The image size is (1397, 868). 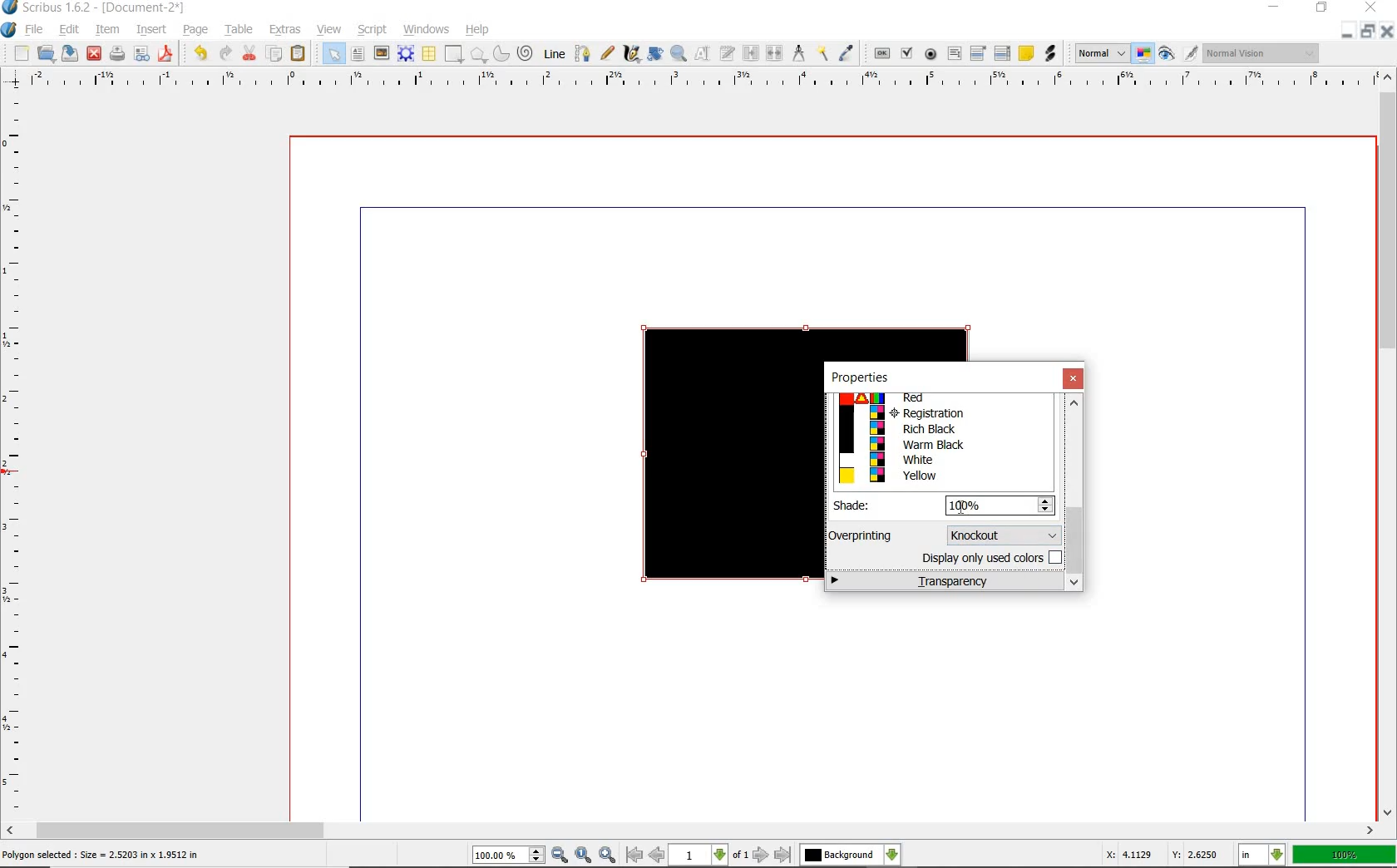 What do you see at coordinates (862, 535) in the screenshot?
I see `Overprinting` at bounding box center [862, 535].